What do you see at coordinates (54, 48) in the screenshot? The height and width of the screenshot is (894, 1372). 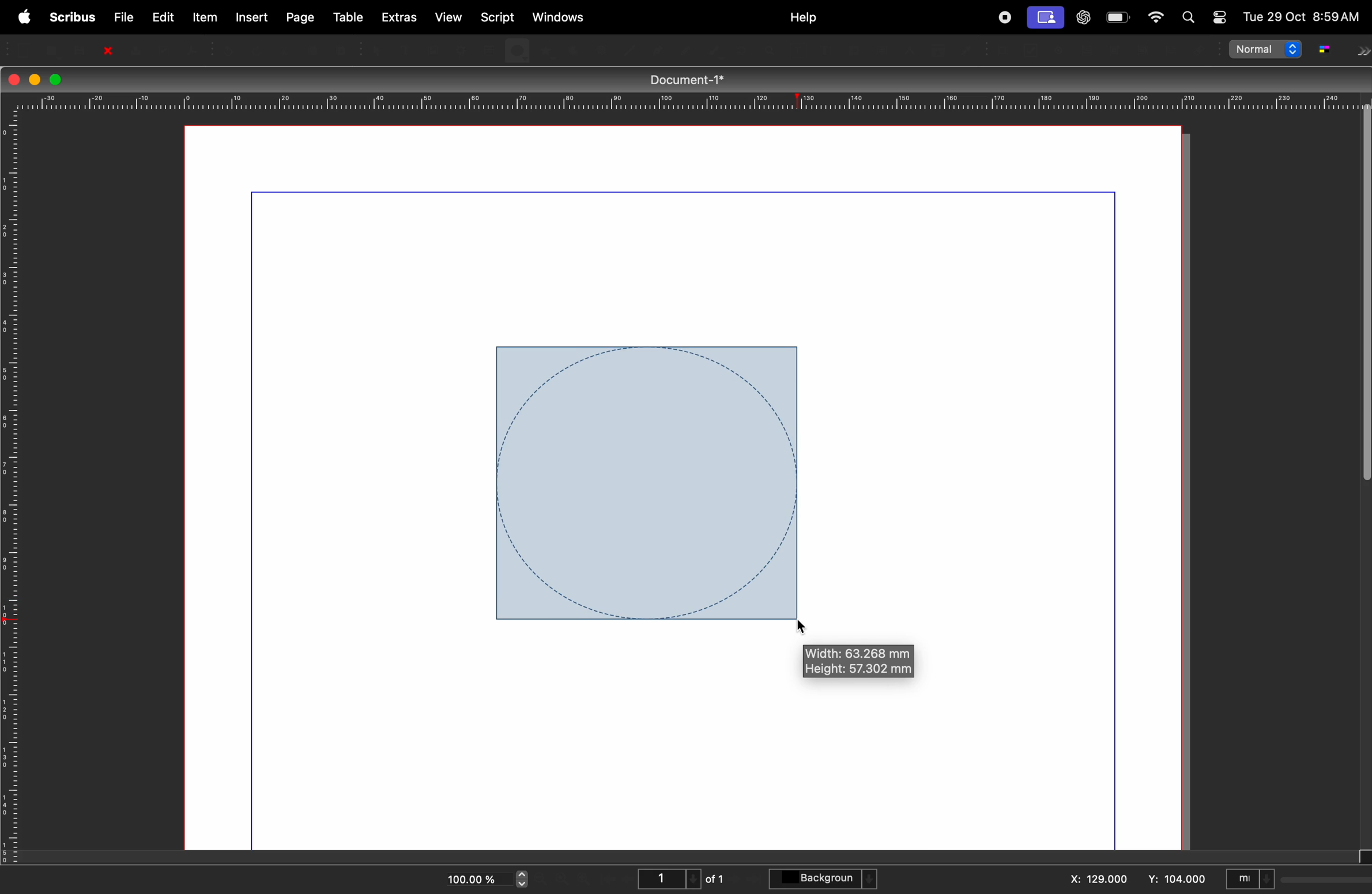 I see `open` at bounding box center [54, 48].